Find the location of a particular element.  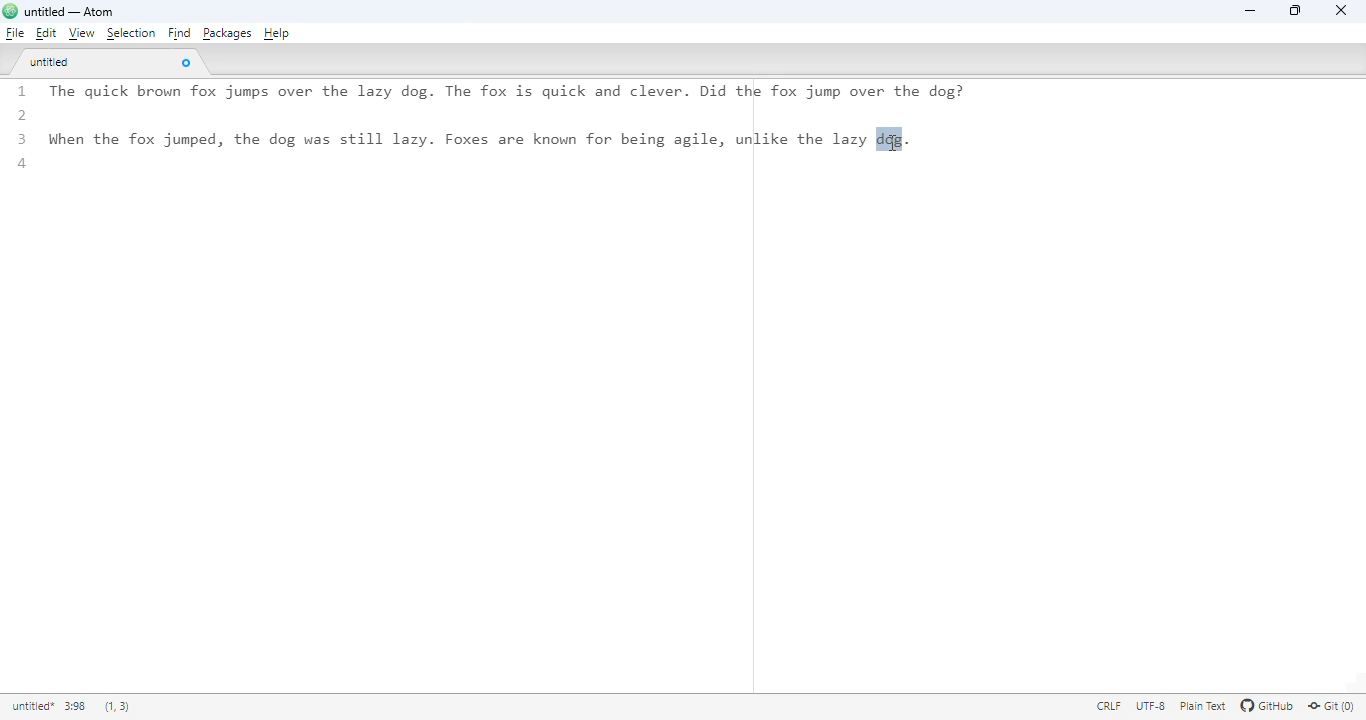

CRLF is located at coordinates (1110, 707).